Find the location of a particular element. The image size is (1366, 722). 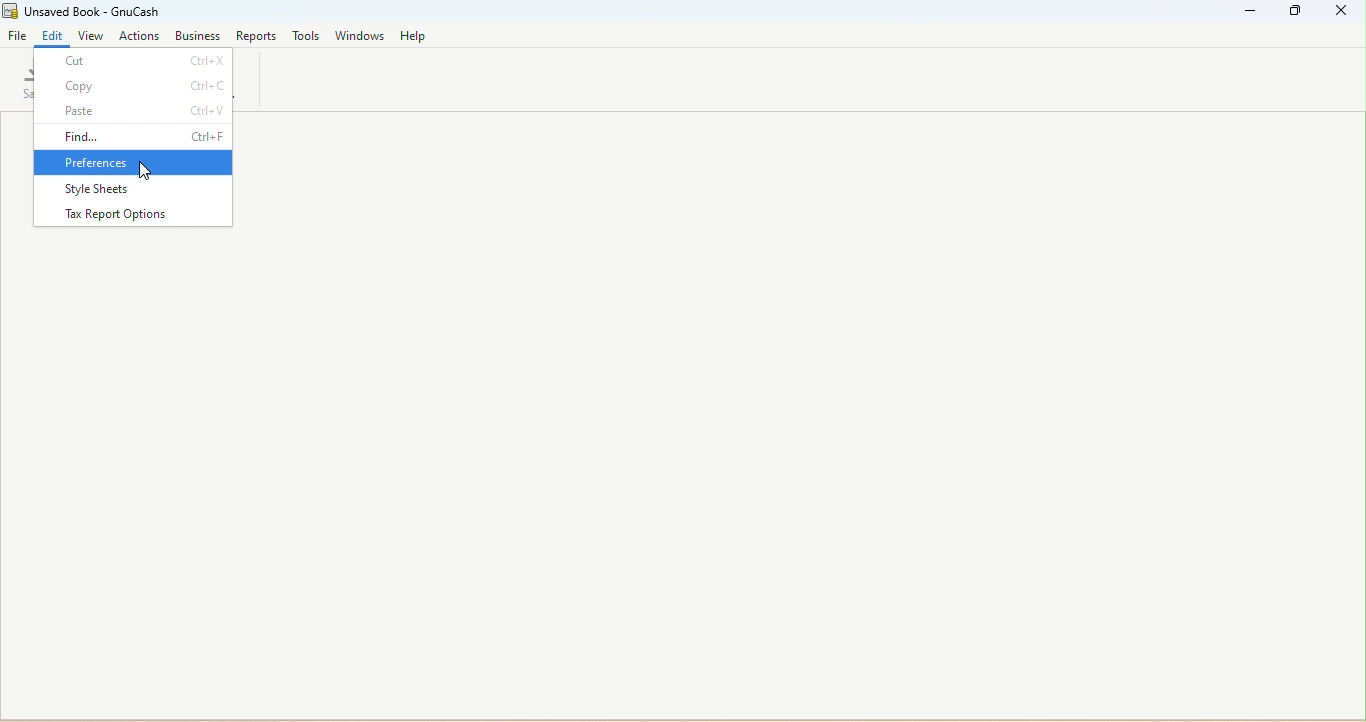

Maximize is located at coordinates (1295, 15).